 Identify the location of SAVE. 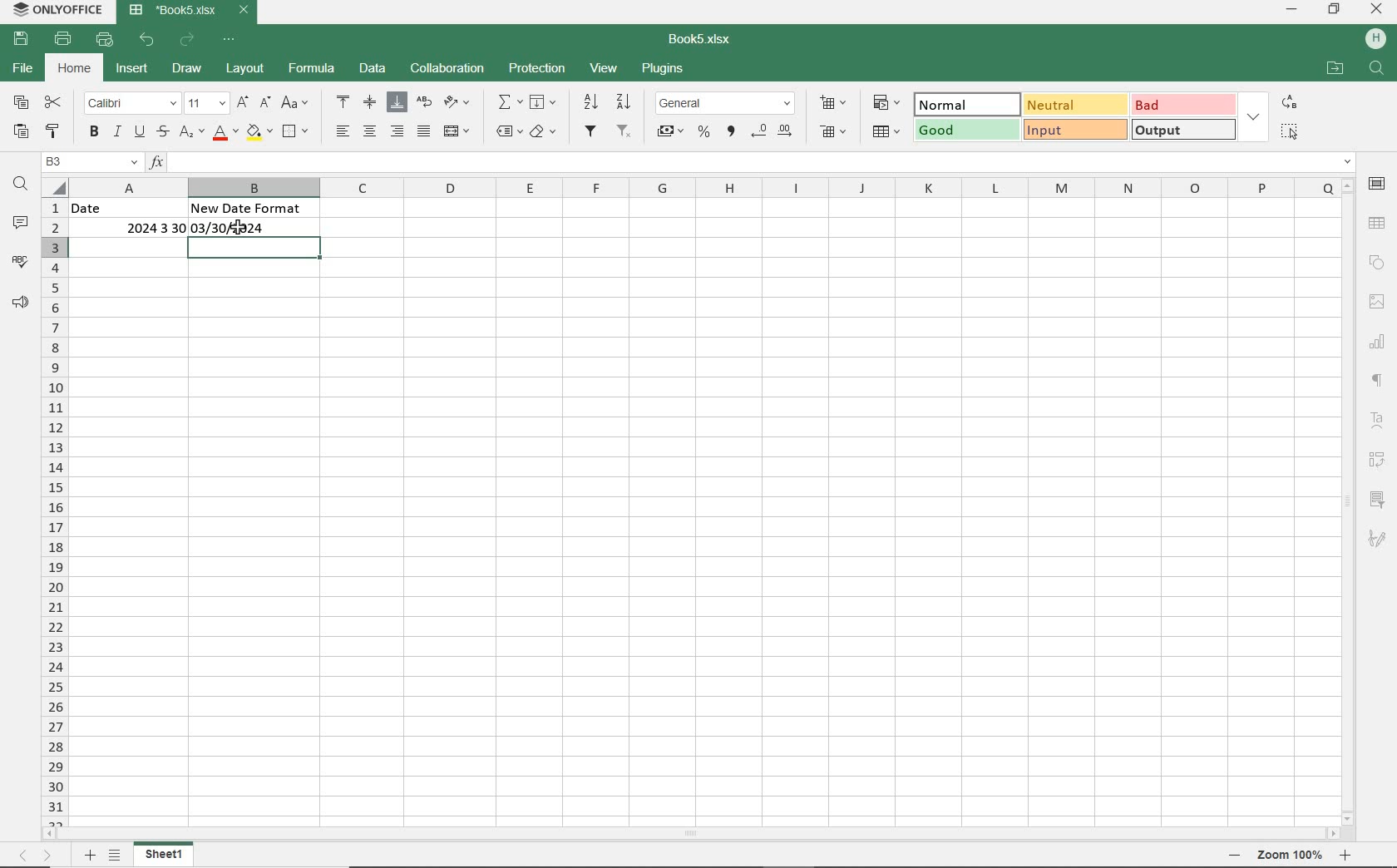
(22, 38).